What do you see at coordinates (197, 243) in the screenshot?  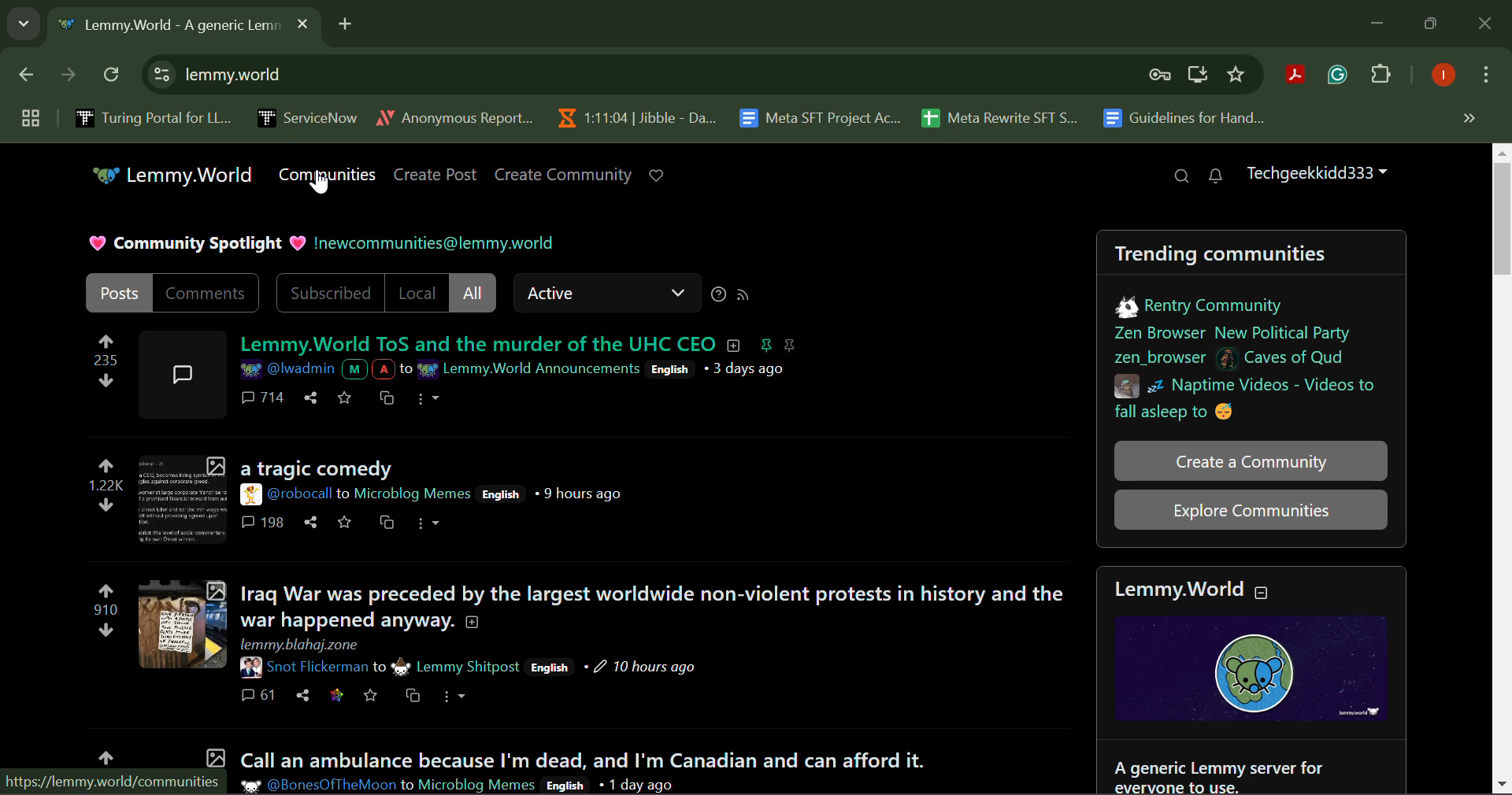 I see `Community Spotlight Heading` at bounding box center [197, 243].